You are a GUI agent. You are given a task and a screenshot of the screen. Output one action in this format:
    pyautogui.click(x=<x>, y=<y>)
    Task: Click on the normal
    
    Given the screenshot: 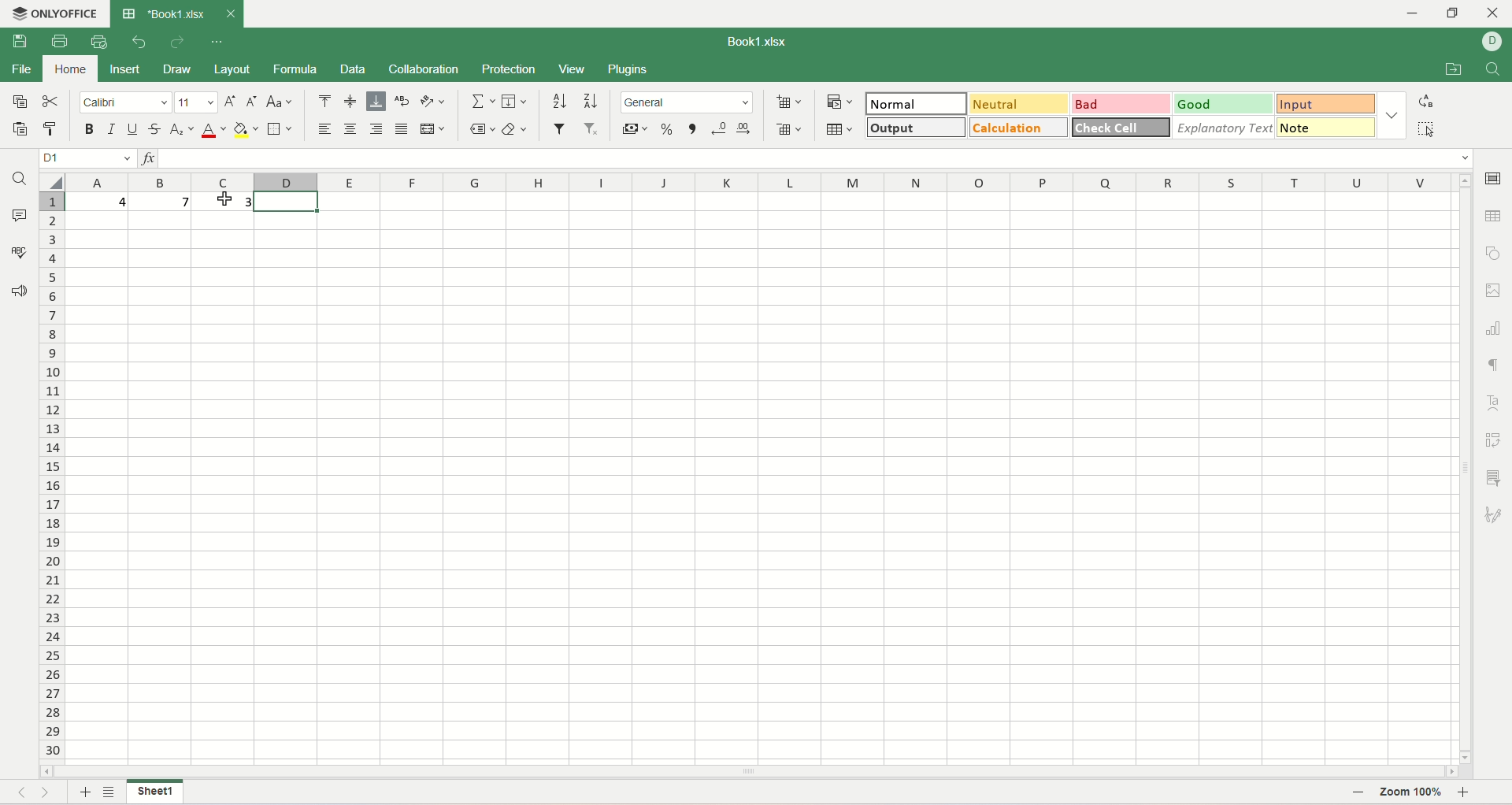 What is the action you would take?
    pyautogui.click(x=916, y=103)
    